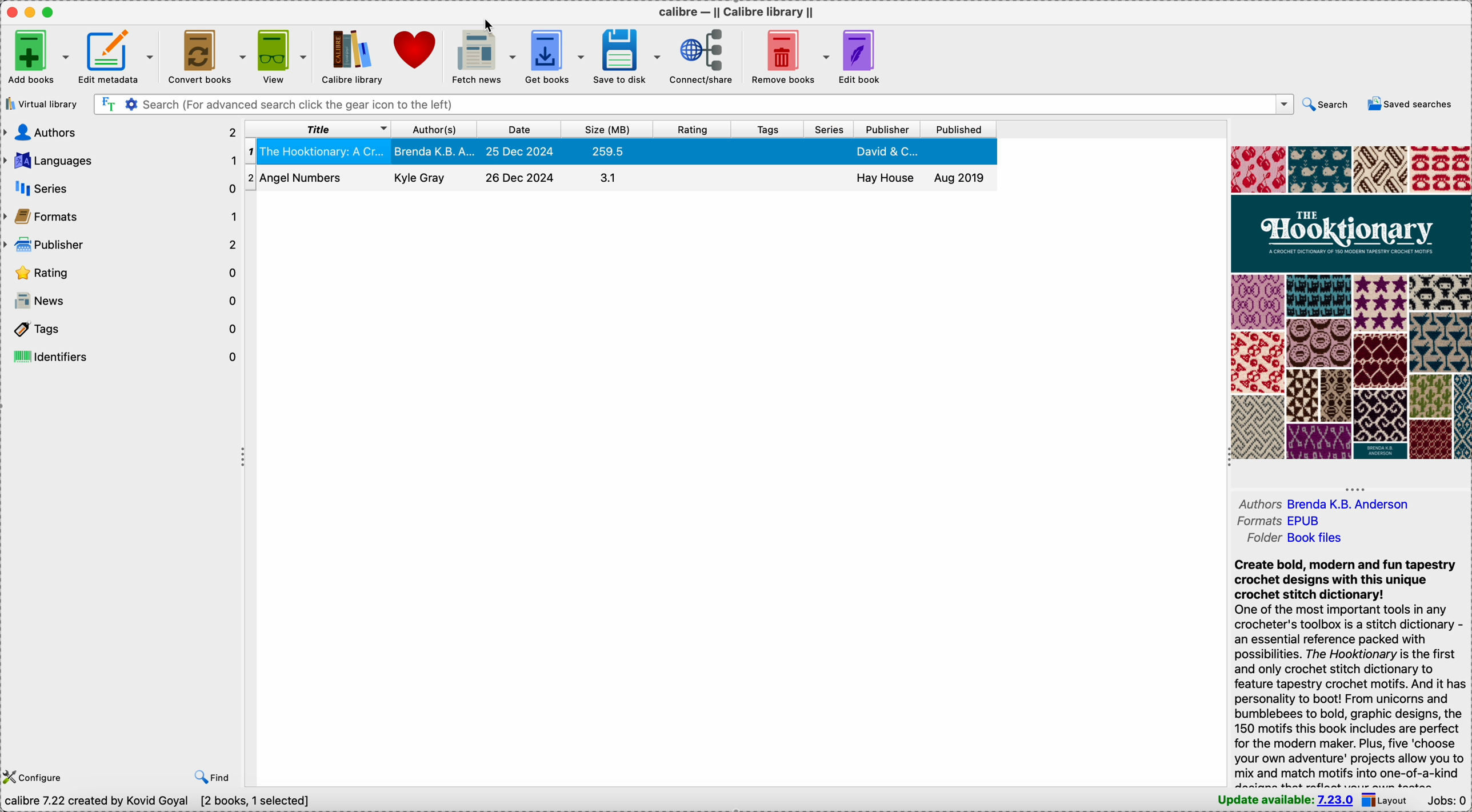  What do you see at coordinates (1389, 801) in the screenshot?
I see `layout` at bounding box center [1389, 801].